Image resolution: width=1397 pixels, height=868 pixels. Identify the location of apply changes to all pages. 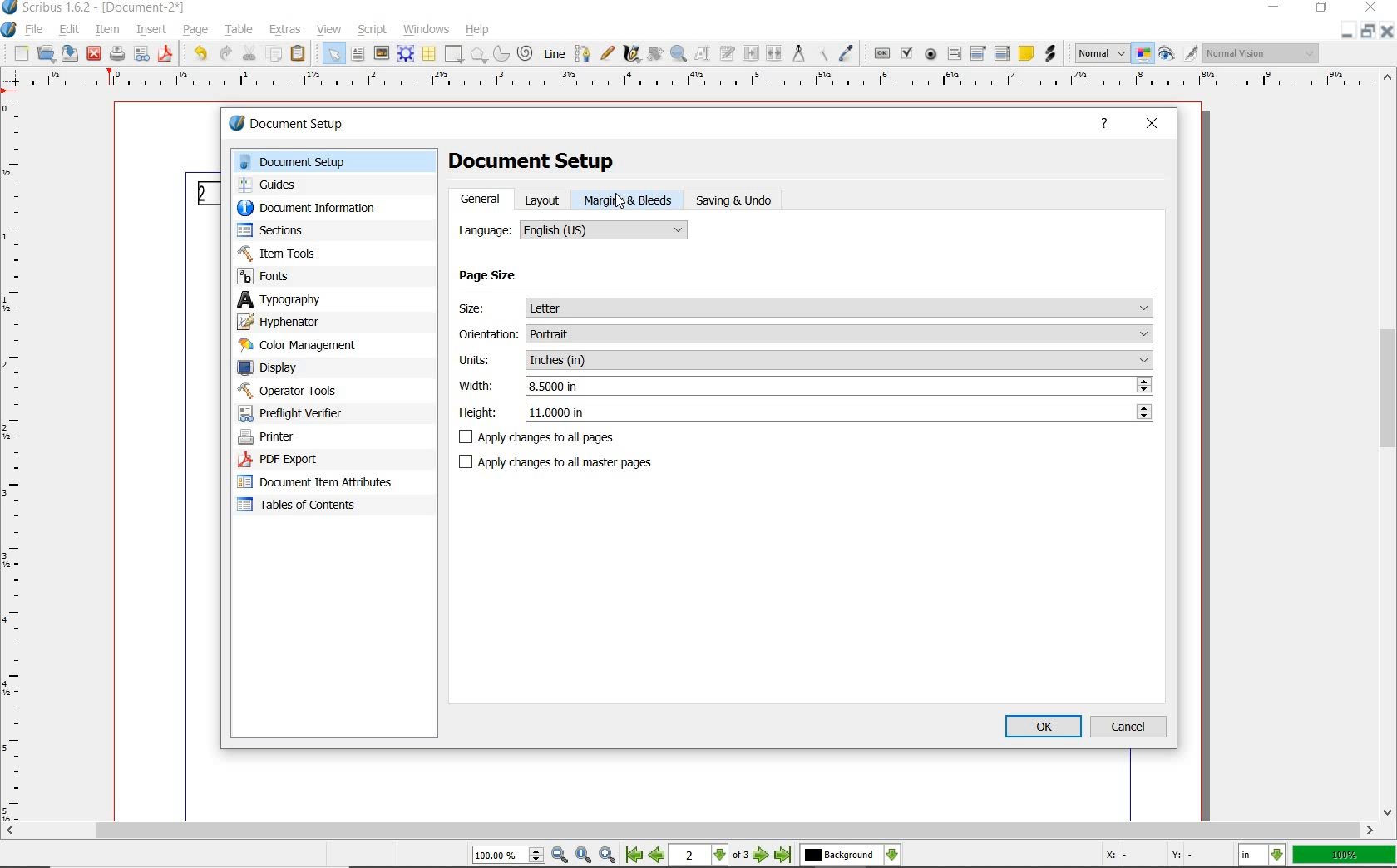
(791, 438).